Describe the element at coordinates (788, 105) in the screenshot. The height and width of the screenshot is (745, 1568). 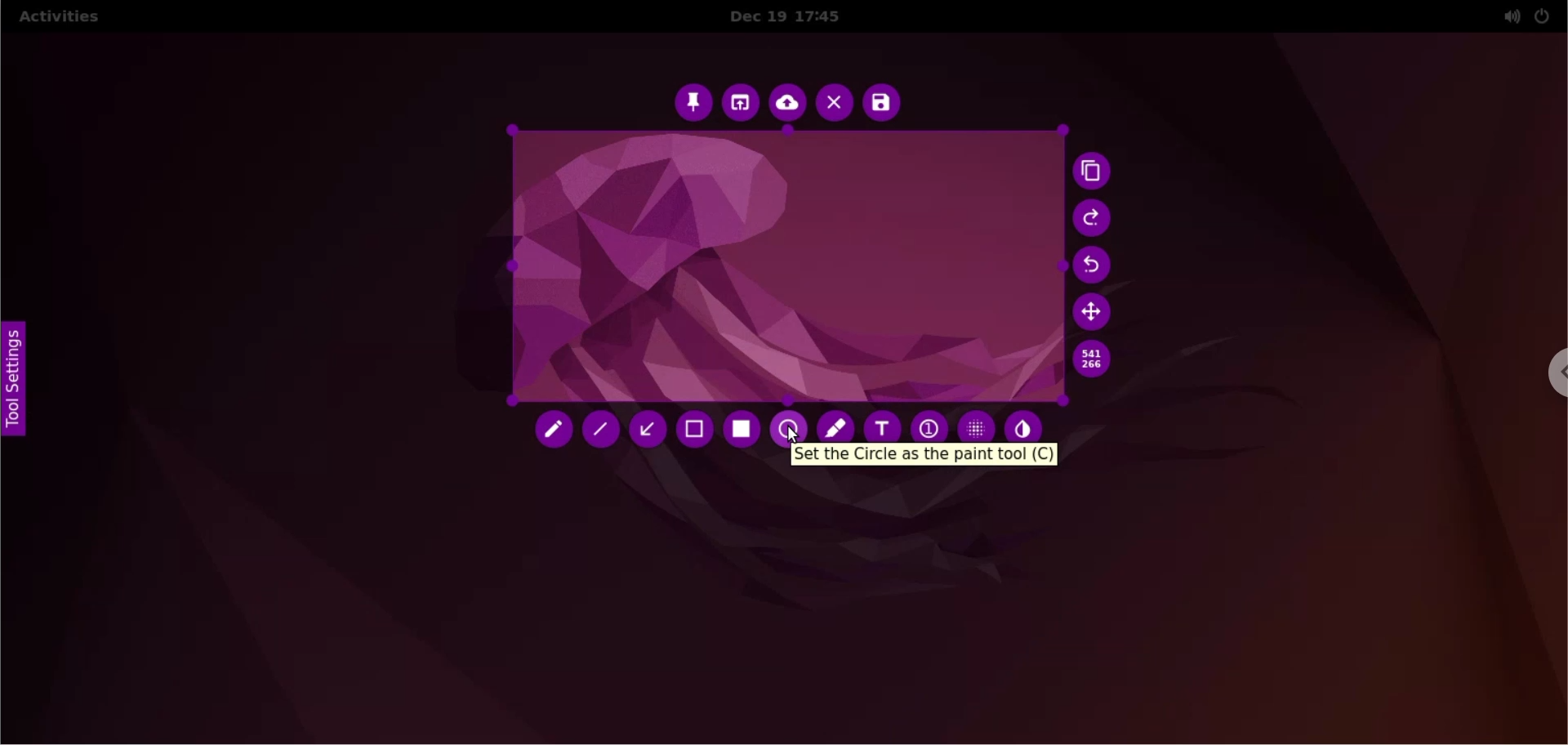
I see `upload ` at that location.